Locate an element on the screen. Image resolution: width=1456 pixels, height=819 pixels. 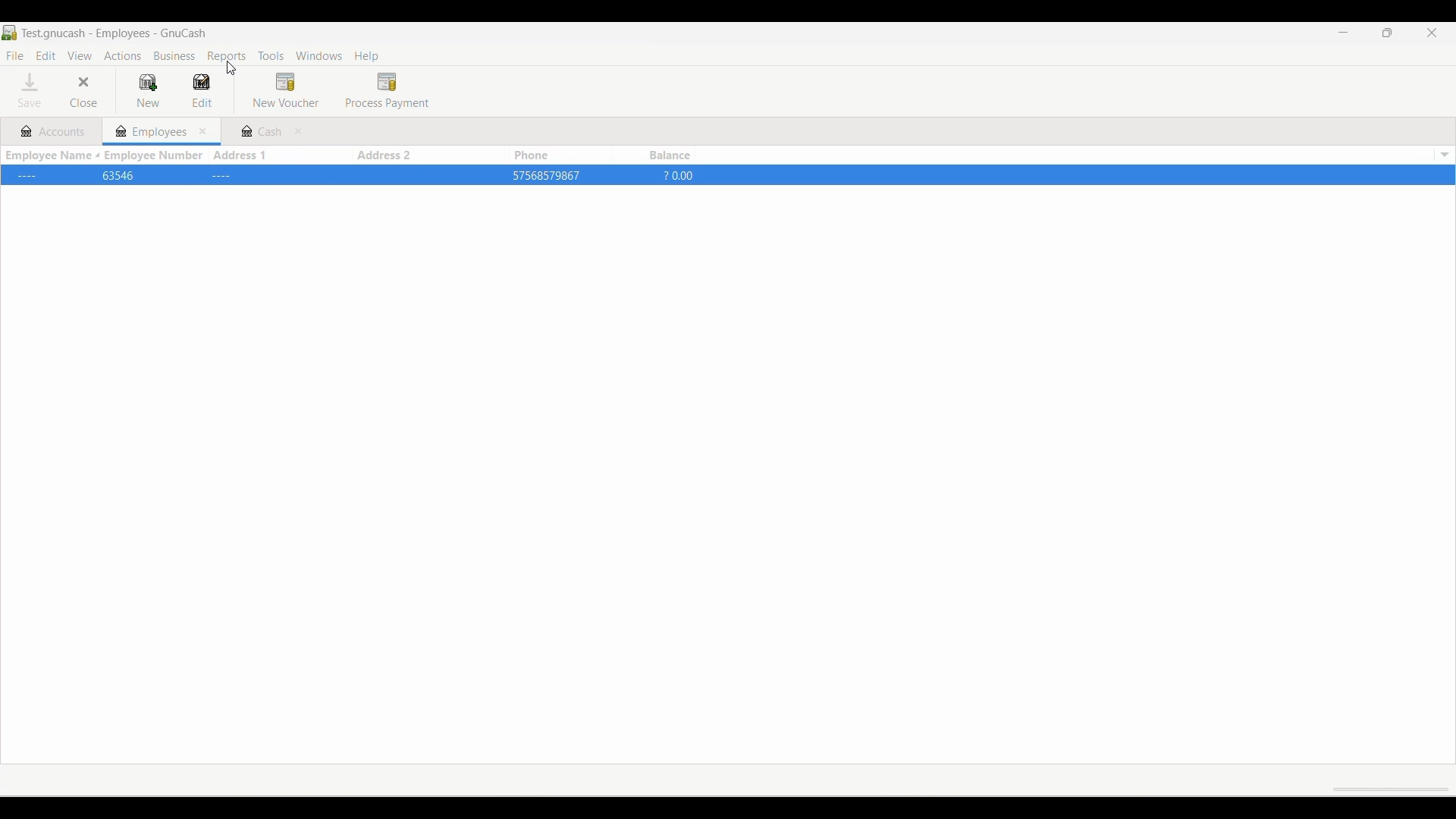
Address 2 column is located at coordinates (430, 155).